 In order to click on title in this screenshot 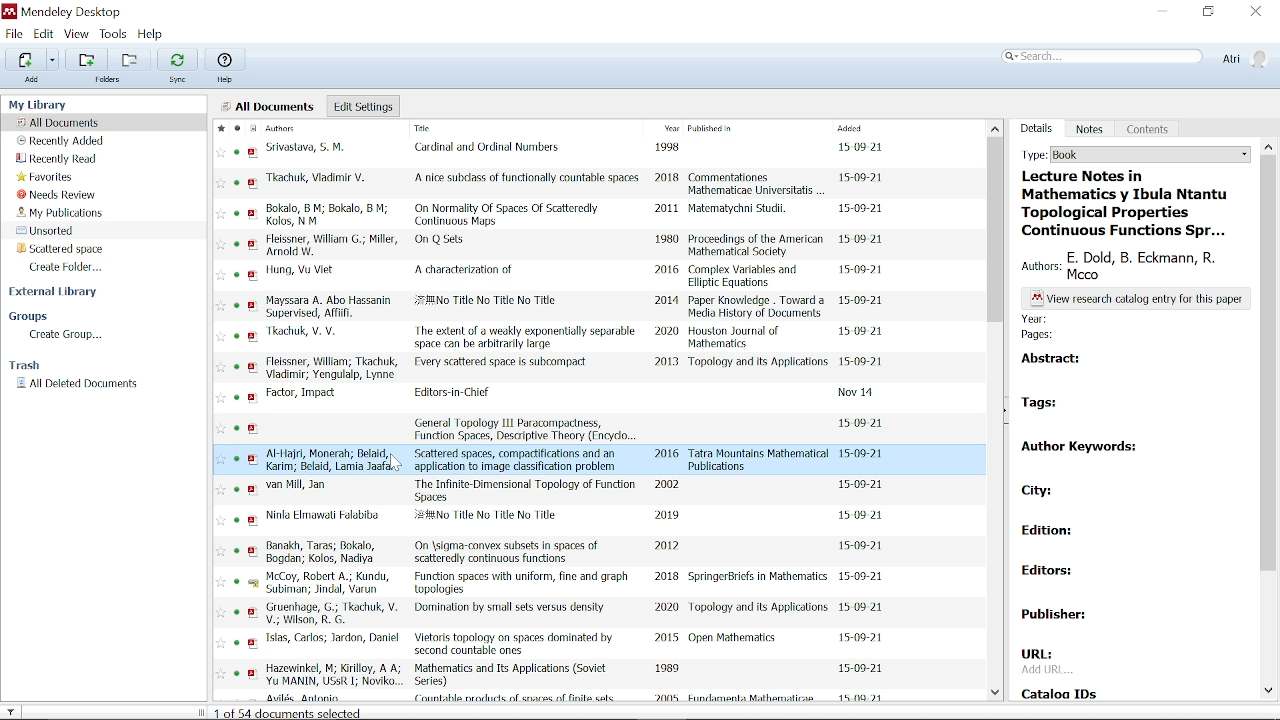, I will do `click(1129, 203)`.